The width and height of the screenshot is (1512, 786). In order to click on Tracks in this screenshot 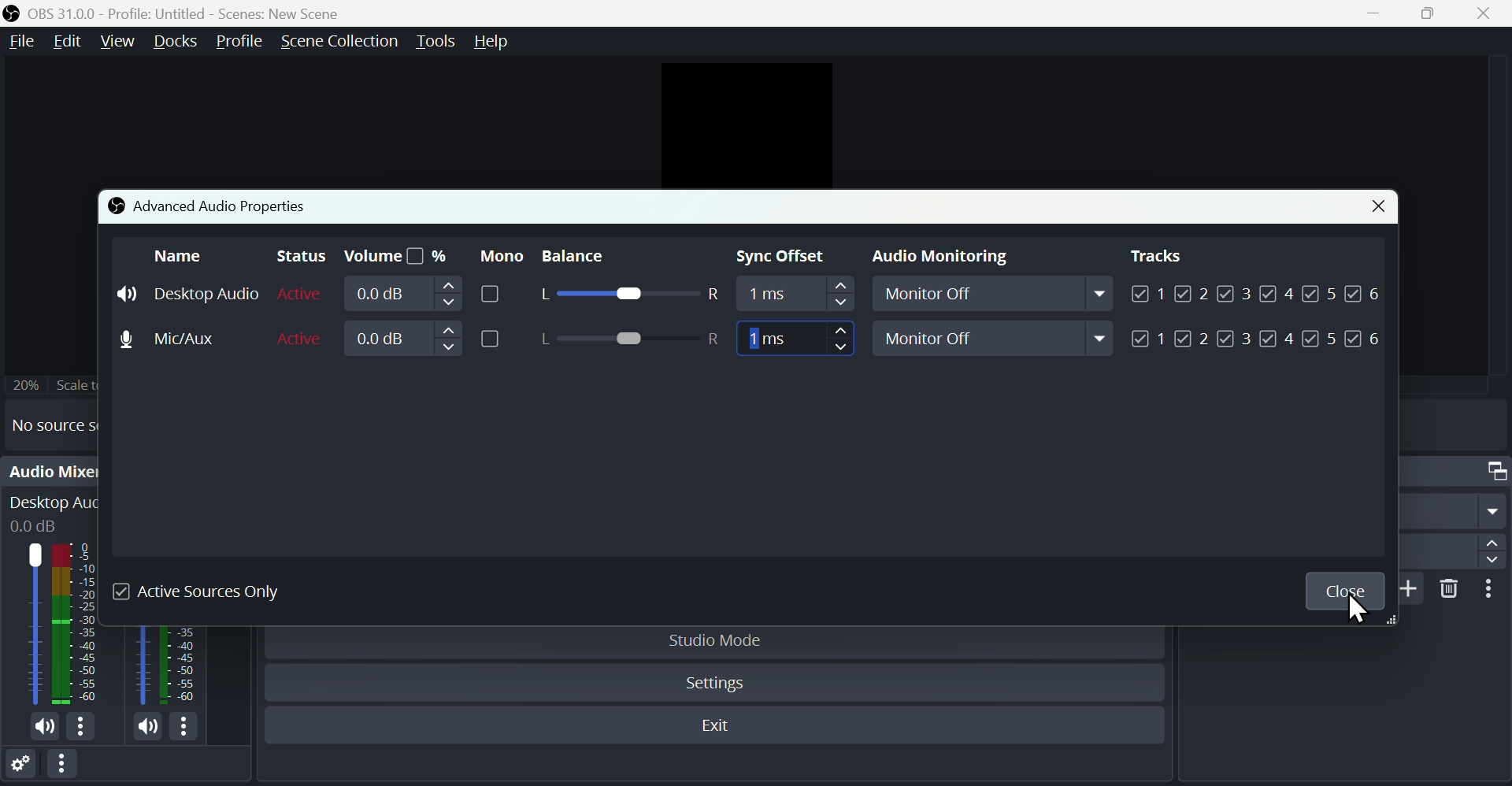, I will do `click(1157, 256)`.